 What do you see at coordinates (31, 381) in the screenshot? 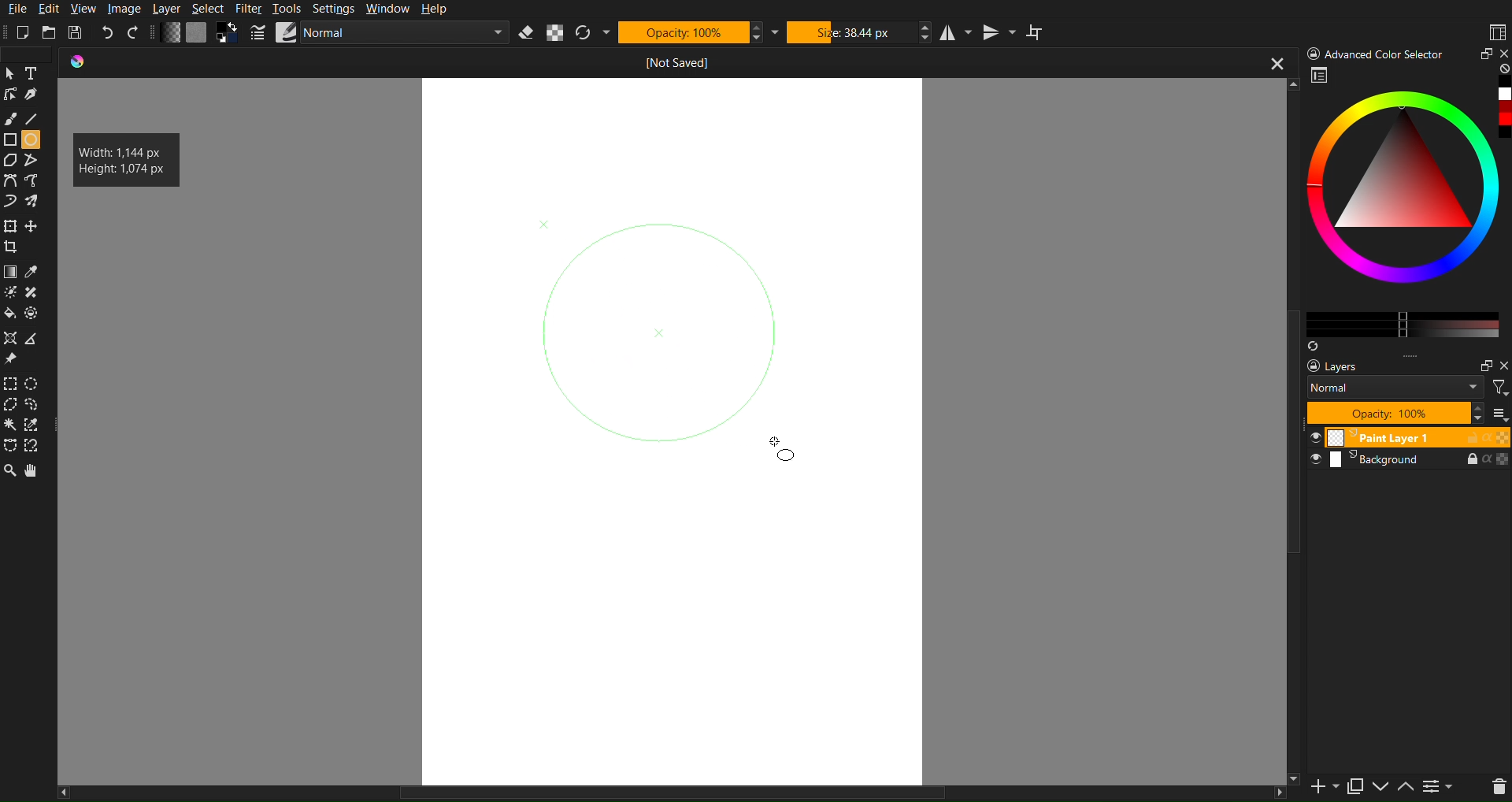
I see `Selction Circle` at bounding box center [31, 381].